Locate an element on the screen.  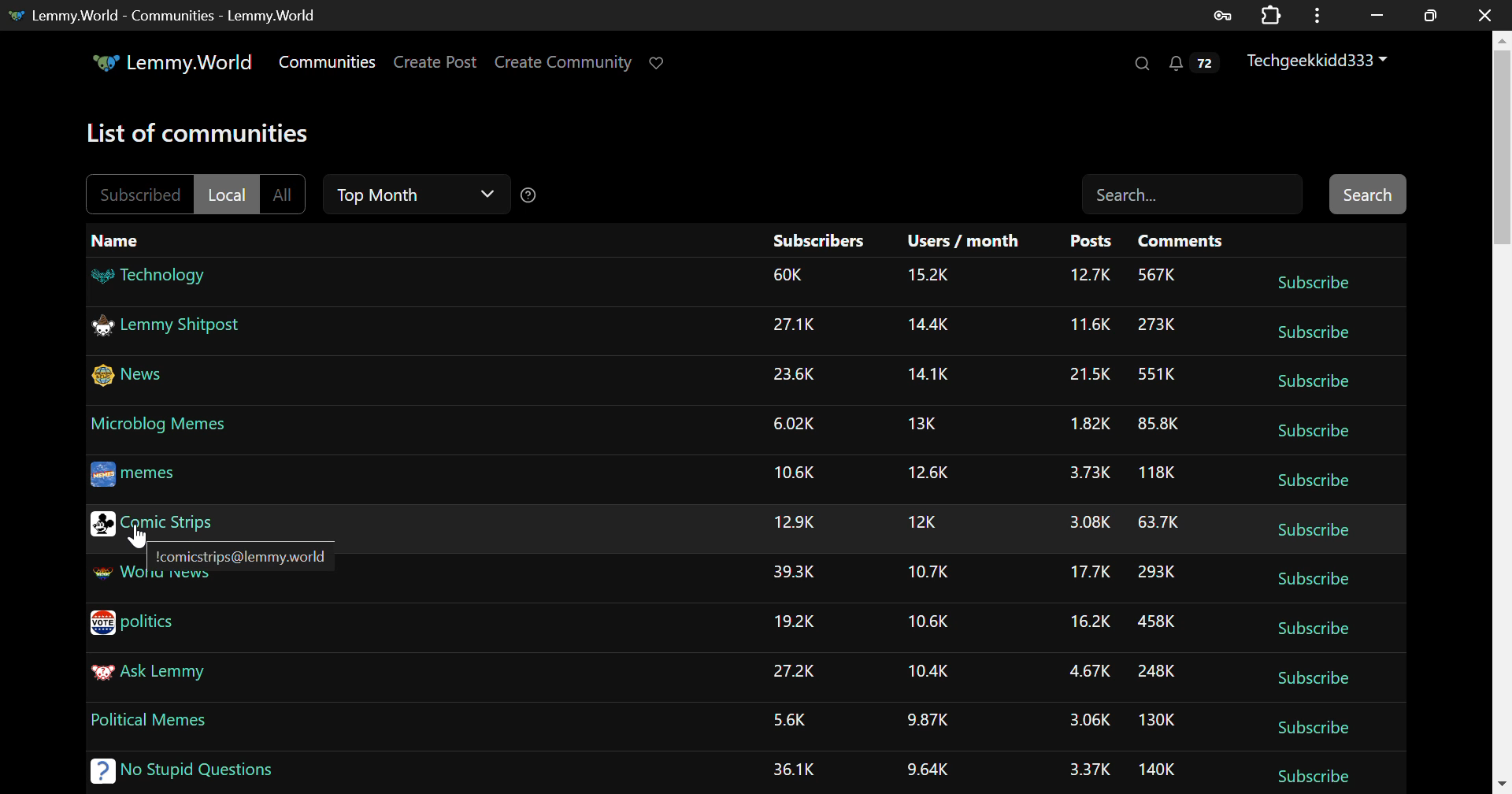
Subscribe is located at coordinates (1314, 629).